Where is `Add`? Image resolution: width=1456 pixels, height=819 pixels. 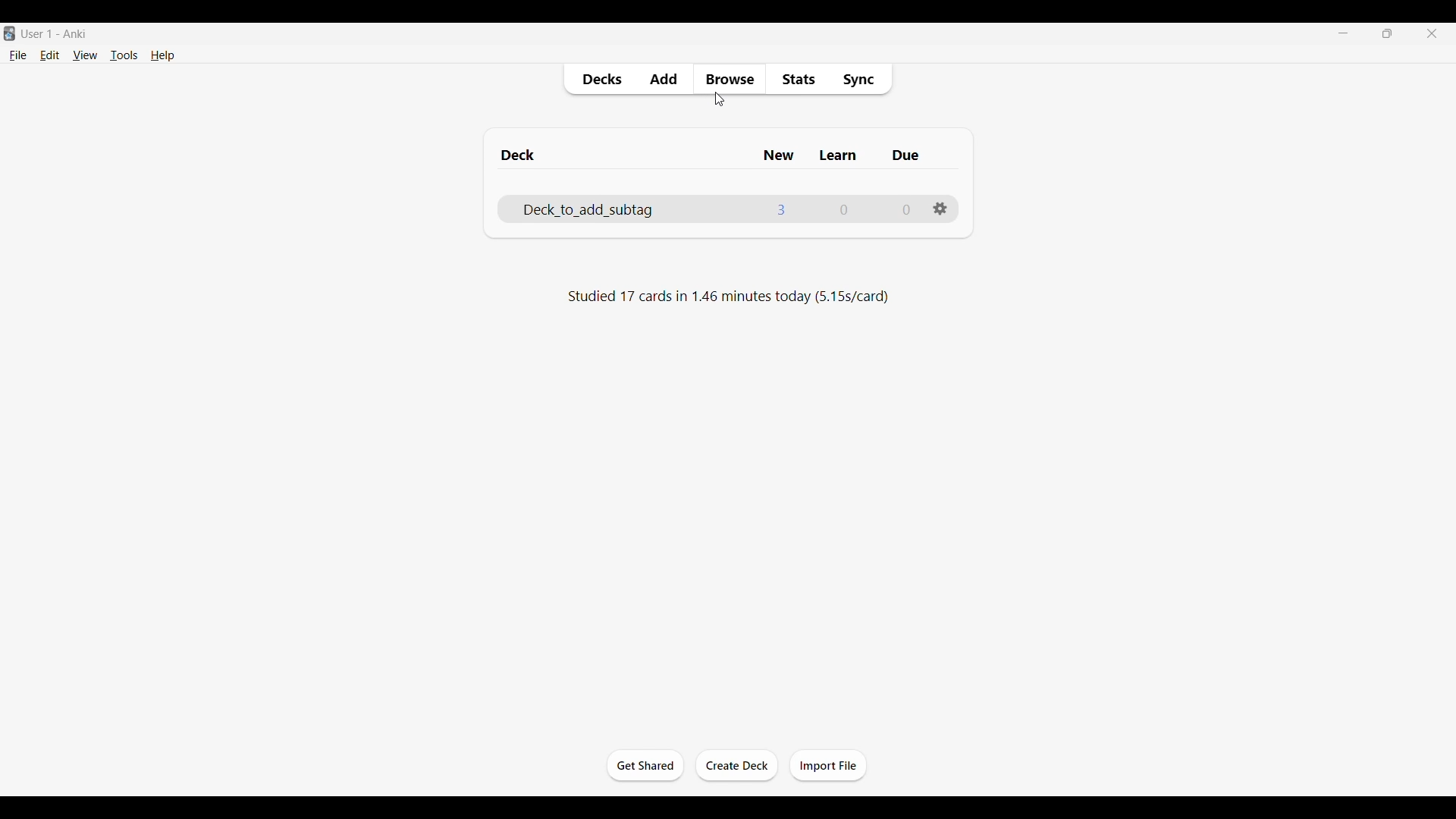
Add is located at coordinates (663, 79).